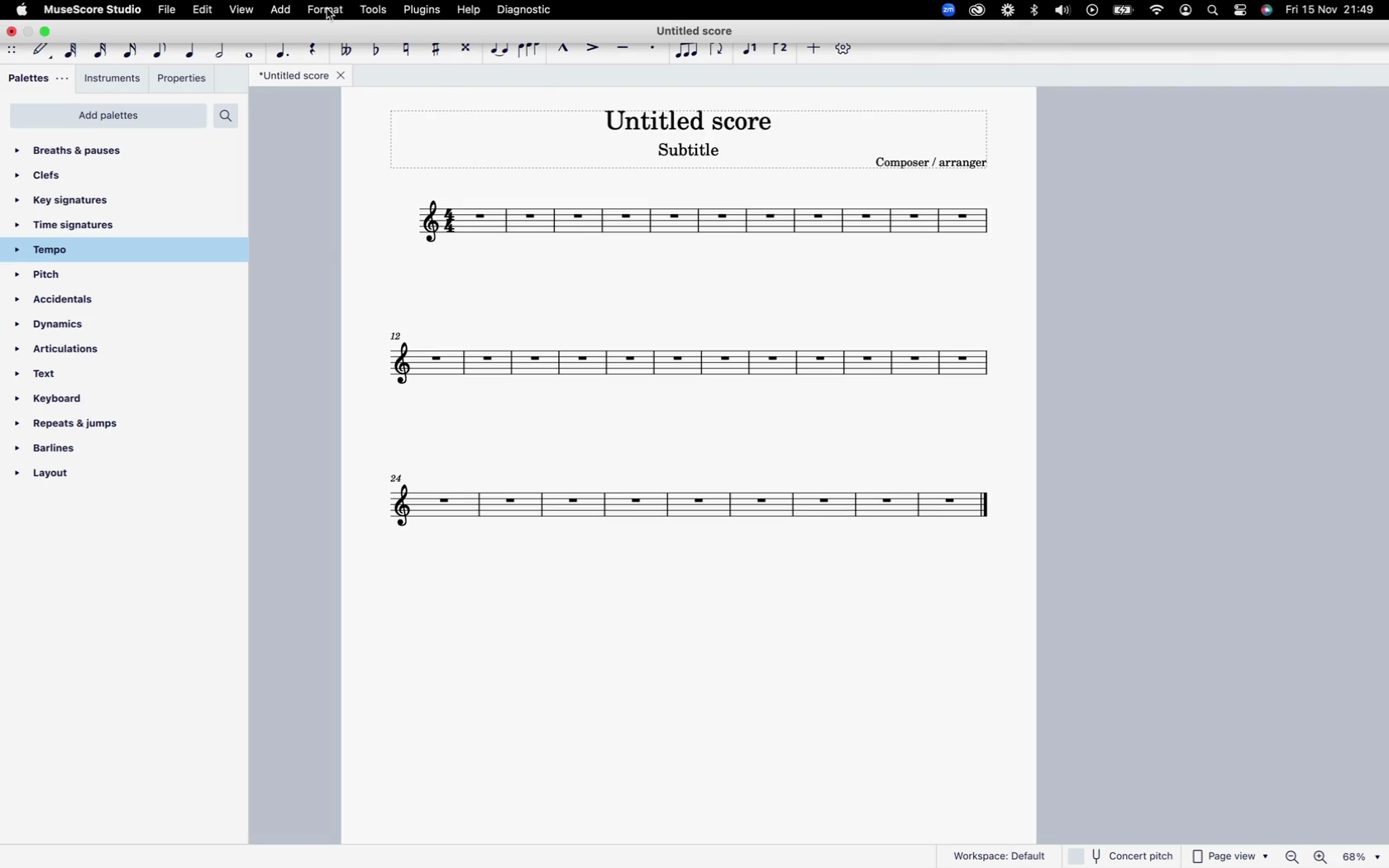 The height and width of the screenshot is (868, 1389). What do you see at coordinates (407, 50) in the screenshot?
I see `toggle natural` at bounding box center [407, 50].